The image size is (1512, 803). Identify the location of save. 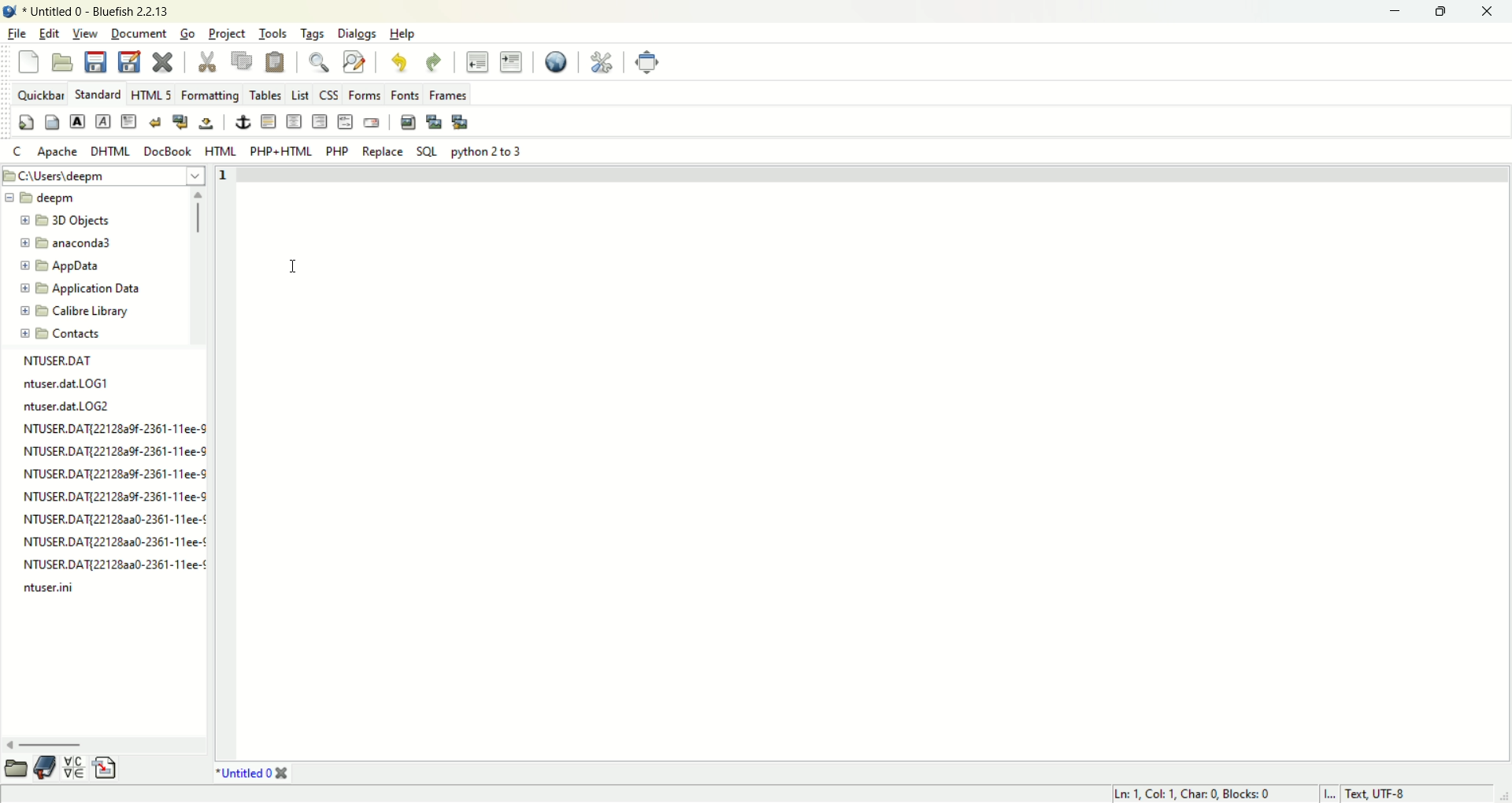
(95, 61).